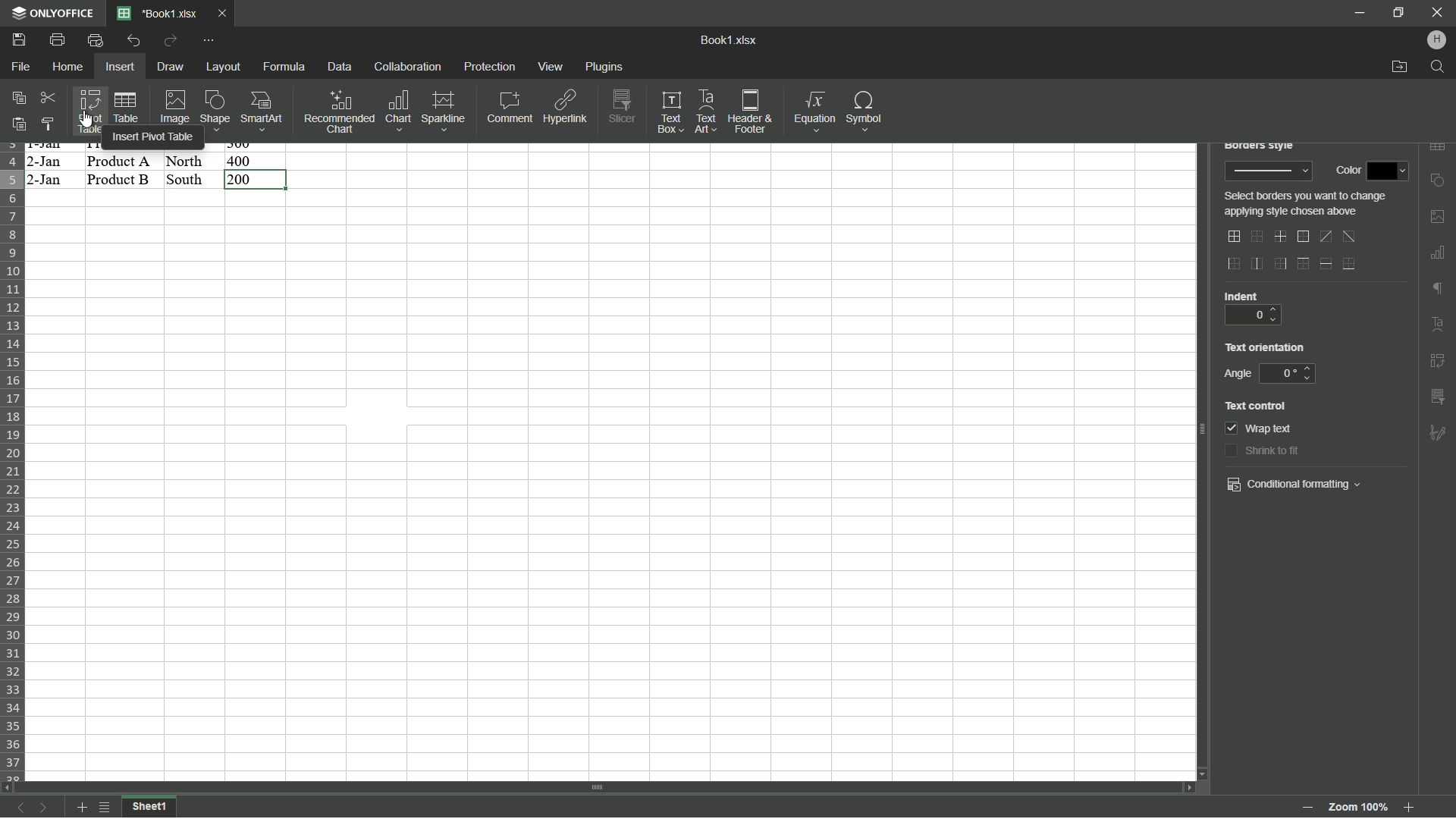 This screenshot has width=1456, height=819. Describe the element at coordinates (18, 97) in the screenshot. I see `Copy` at that location.